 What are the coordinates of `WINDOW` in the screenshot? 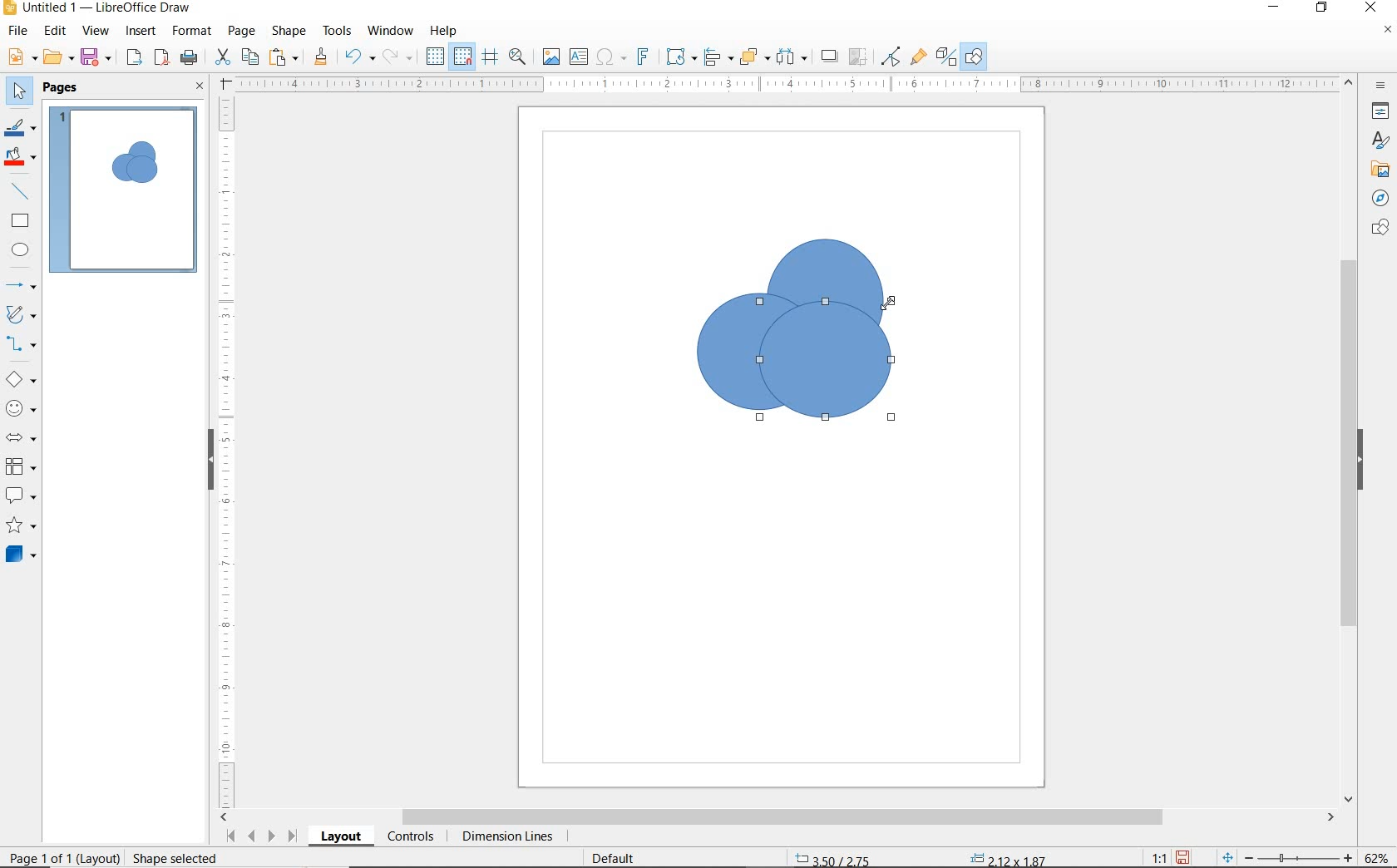 It's located at (390, 31).